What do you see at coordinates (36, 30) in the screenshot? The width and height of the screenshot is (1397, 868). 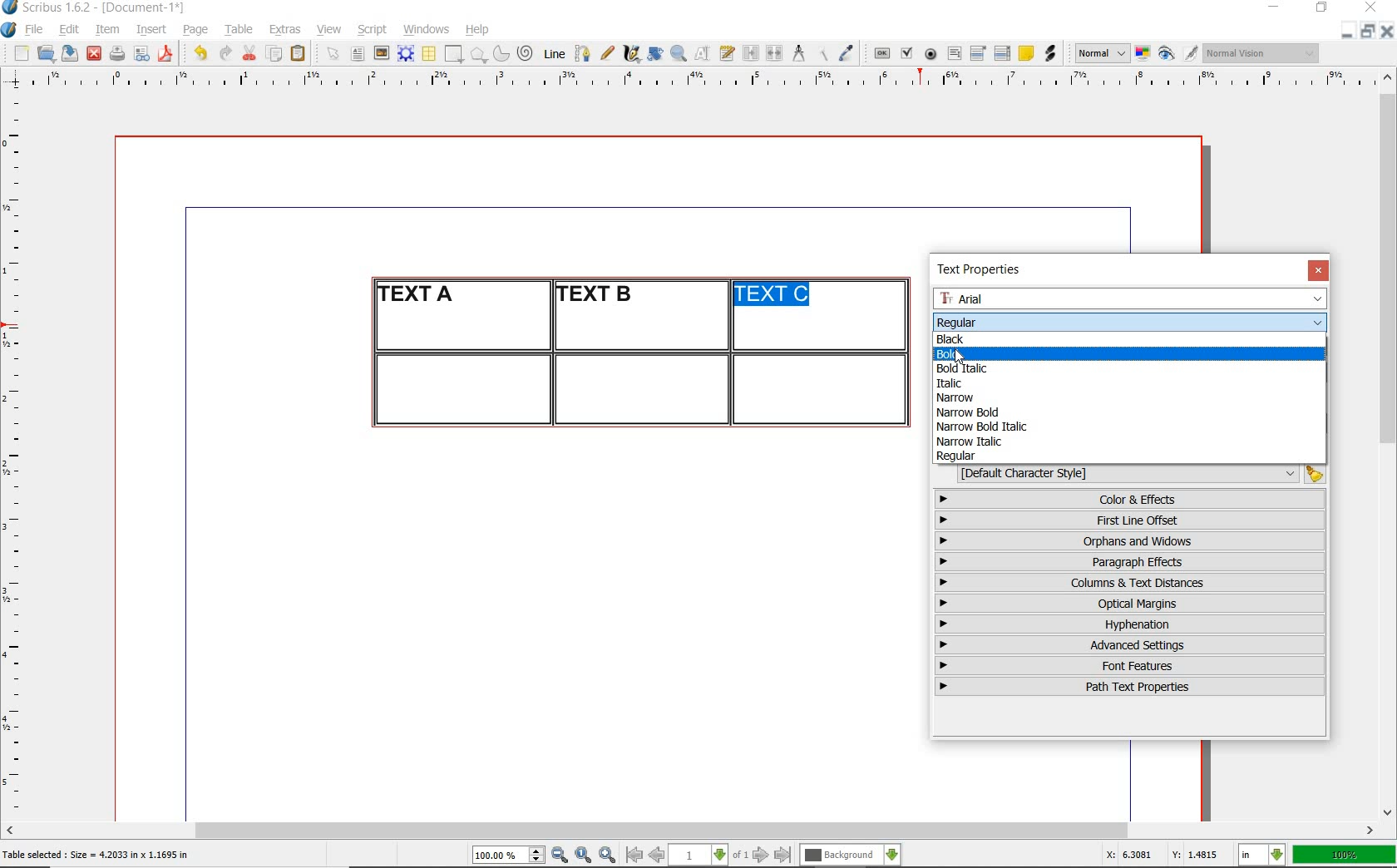 I see `file` at bounding box center [36, 30].